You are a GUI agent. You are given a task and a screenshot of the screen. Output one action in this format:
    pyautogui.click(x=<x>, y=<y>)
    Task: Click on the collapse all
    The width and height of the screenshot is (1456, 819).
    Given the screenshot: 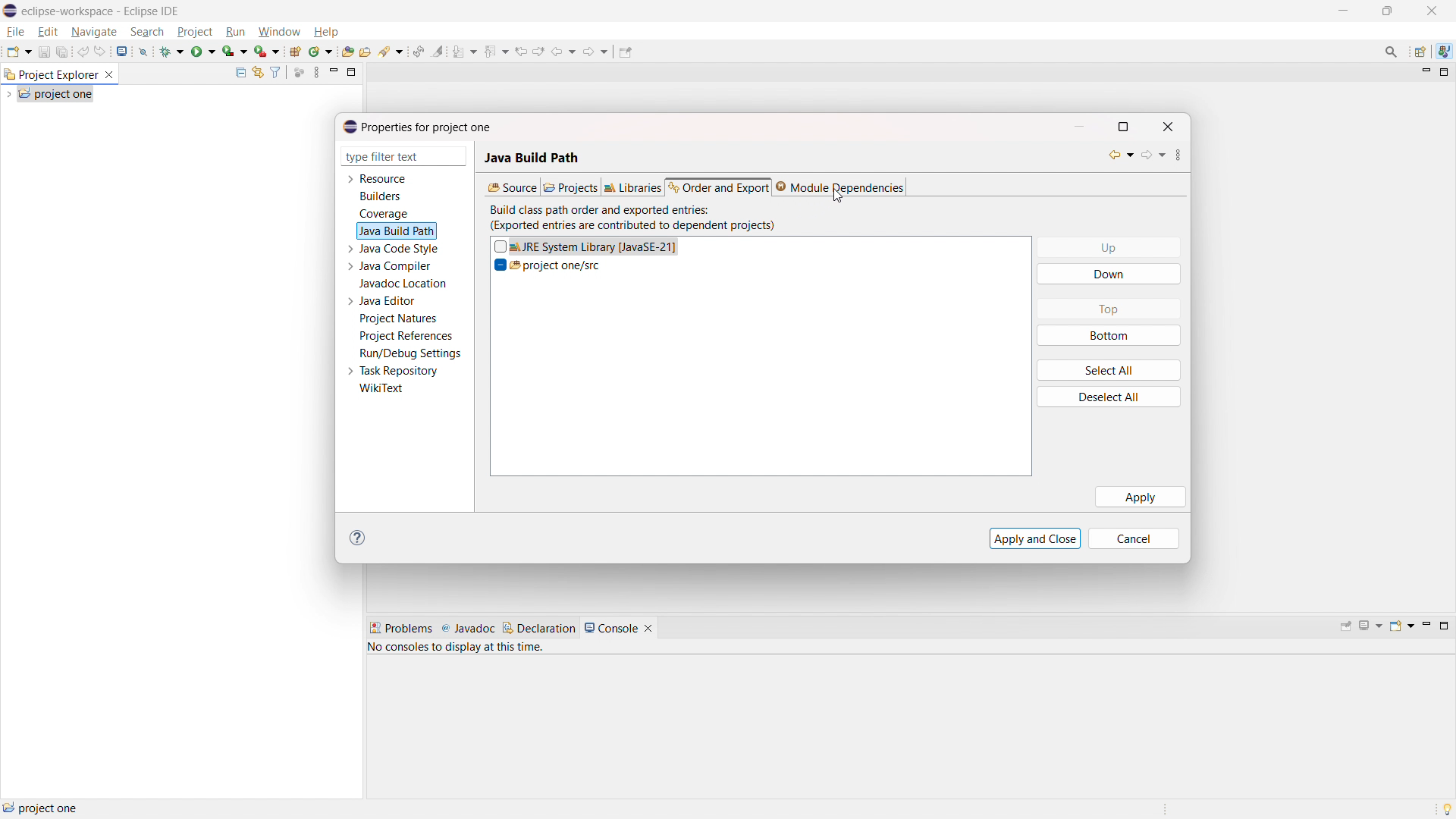 What is the action you would take?
    pyautogui.click(x=240, y=72)
    